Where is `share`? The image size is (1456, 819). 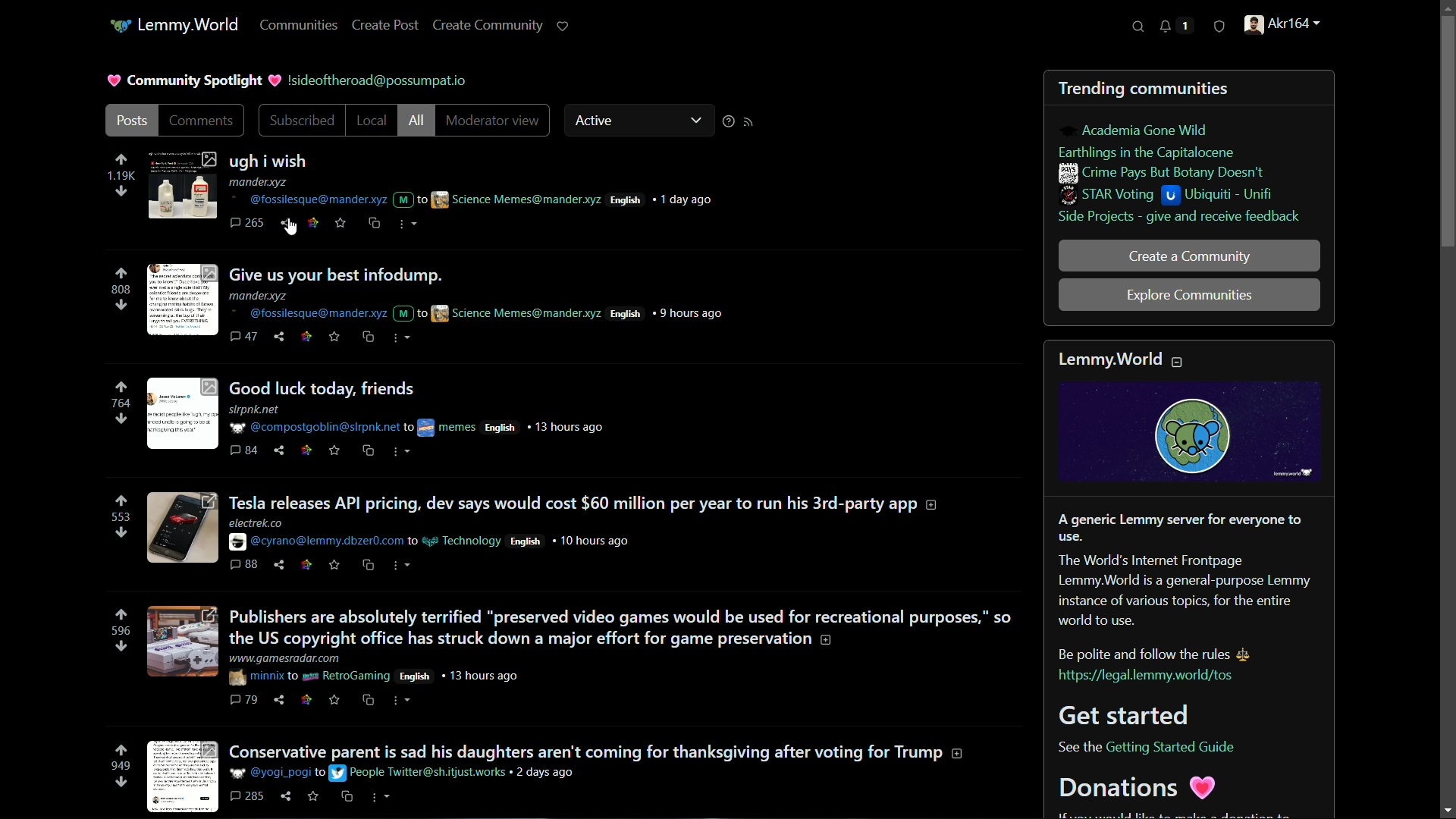
share is located at coordinates (289, 224).